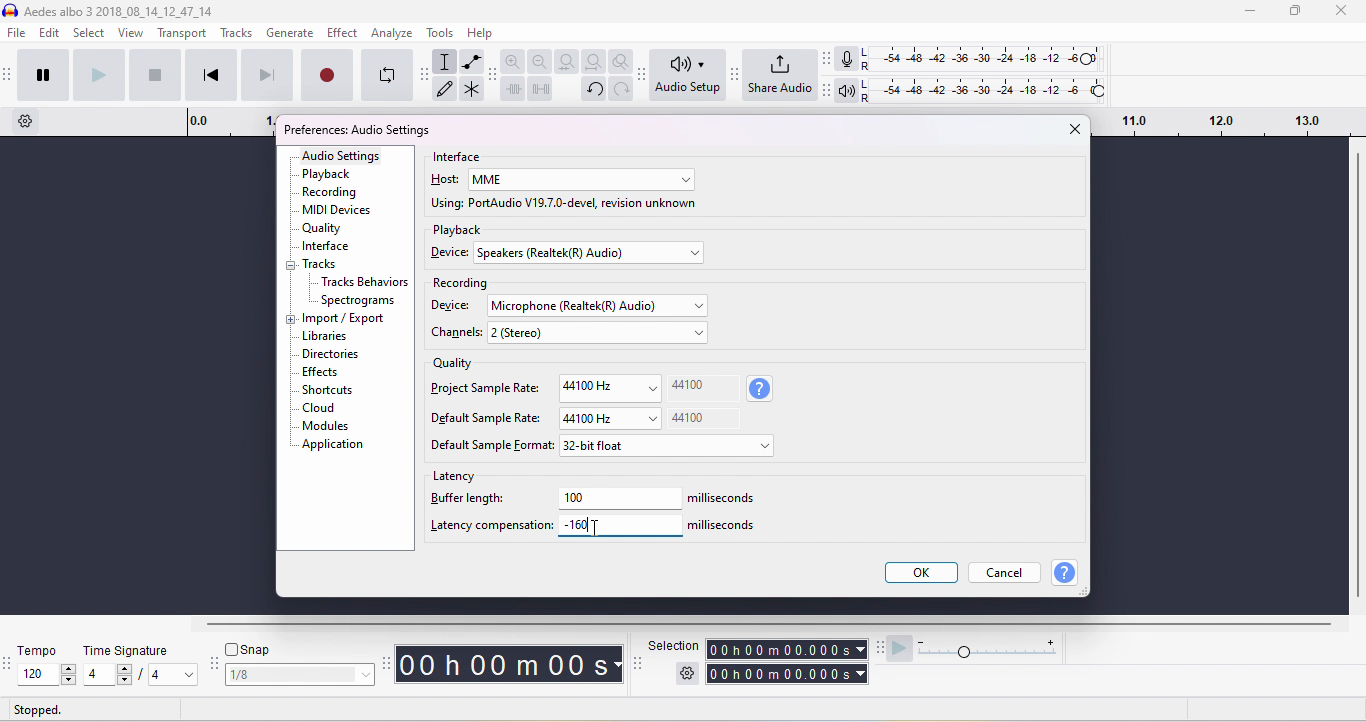  What do you see at coordinates (594, 89) in the screenshot?
I see `undo` at bounding box center [594, 89].